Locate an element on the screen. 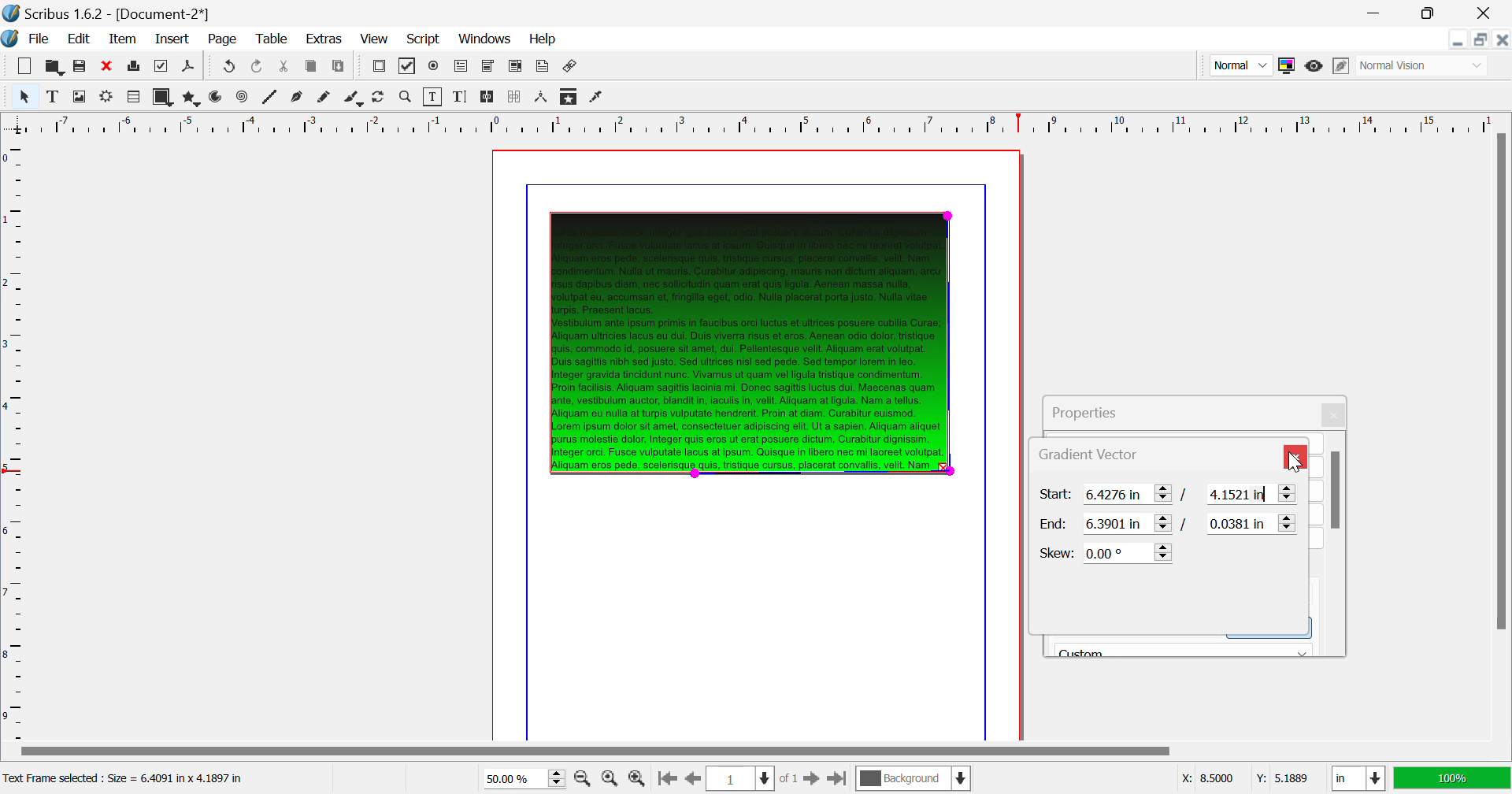  Gradient Vector Tab Heading is located at coordinates (1043, 455).